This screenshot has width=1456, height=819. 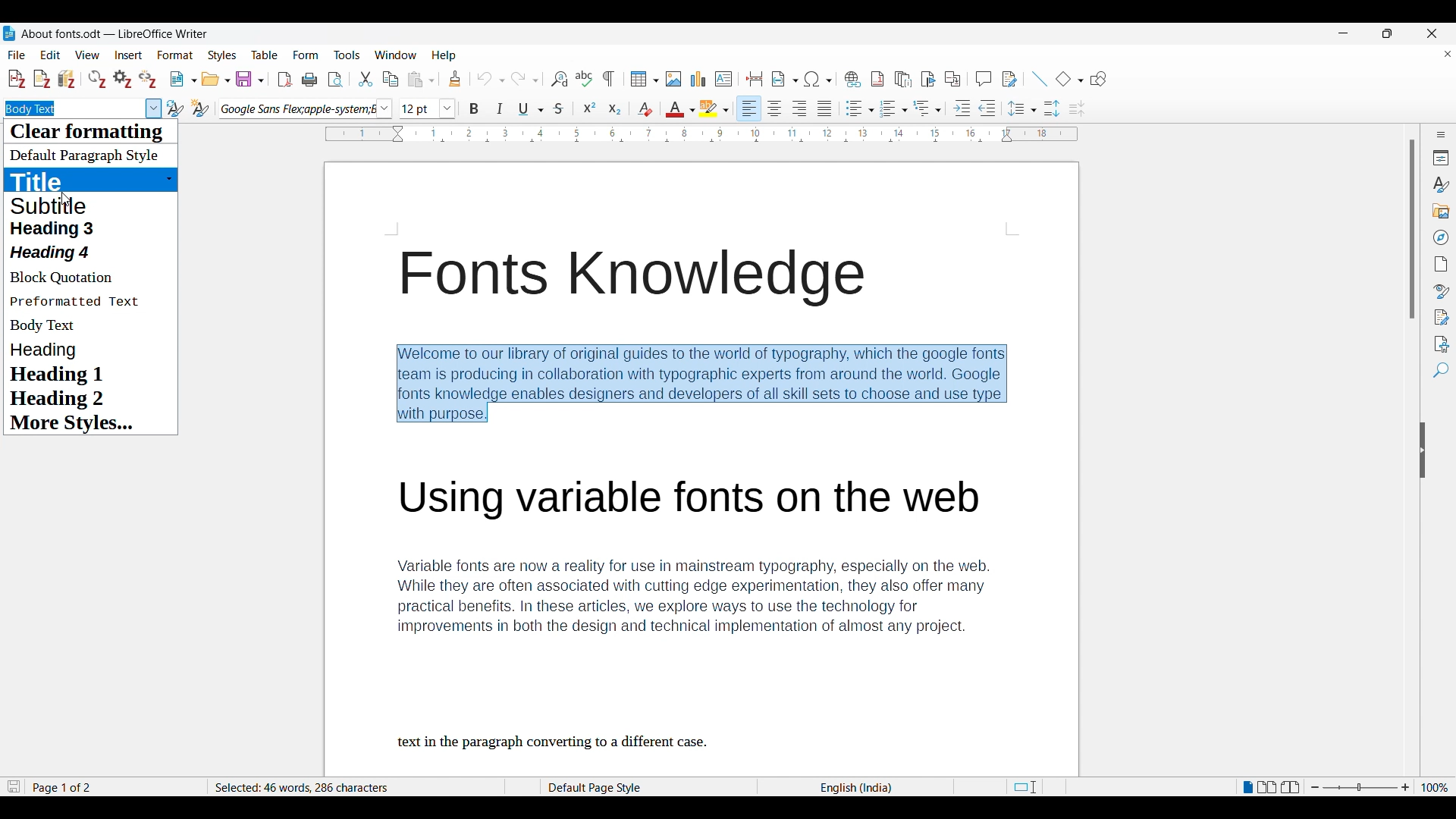 What do you see at coordinates (455, 79) in the screenshot?
I see `Clone formatting` at bounding box center [455, 79].